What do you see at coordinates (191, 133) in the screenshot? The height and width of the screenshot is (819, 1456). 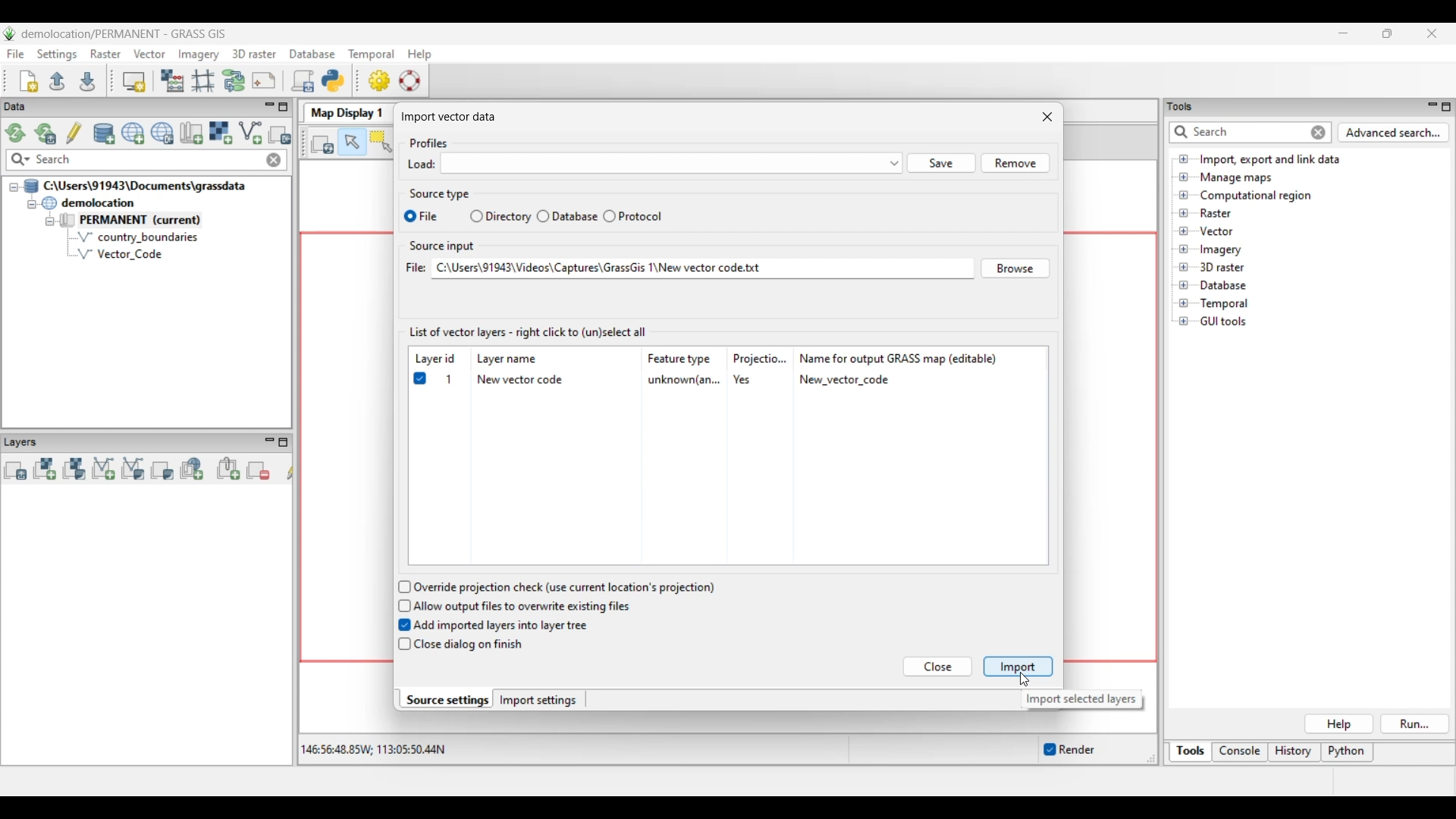 I see `Create new map set in current project` at bounding box center [191, 133].